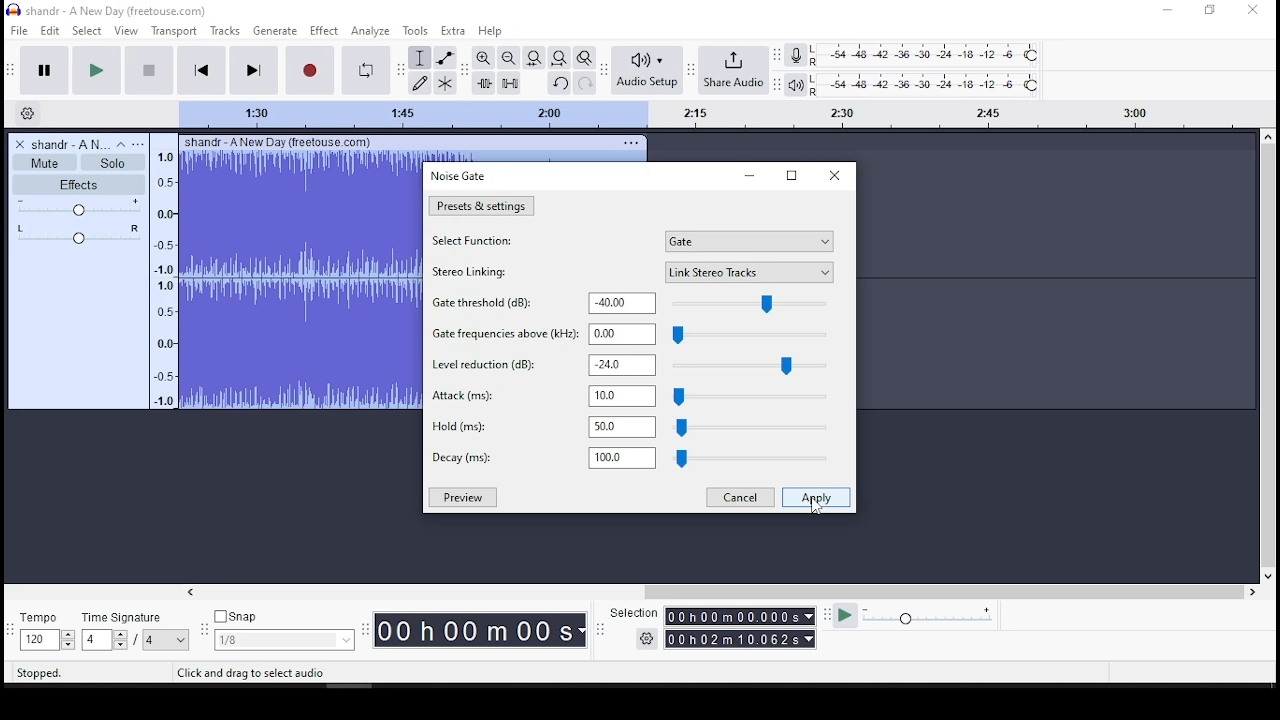 The width and height of the screenshot is (1280, 720). What do you see at coordinates (324, 30) in the screenshot?
I see `effect` at bounding box center [324, 30].